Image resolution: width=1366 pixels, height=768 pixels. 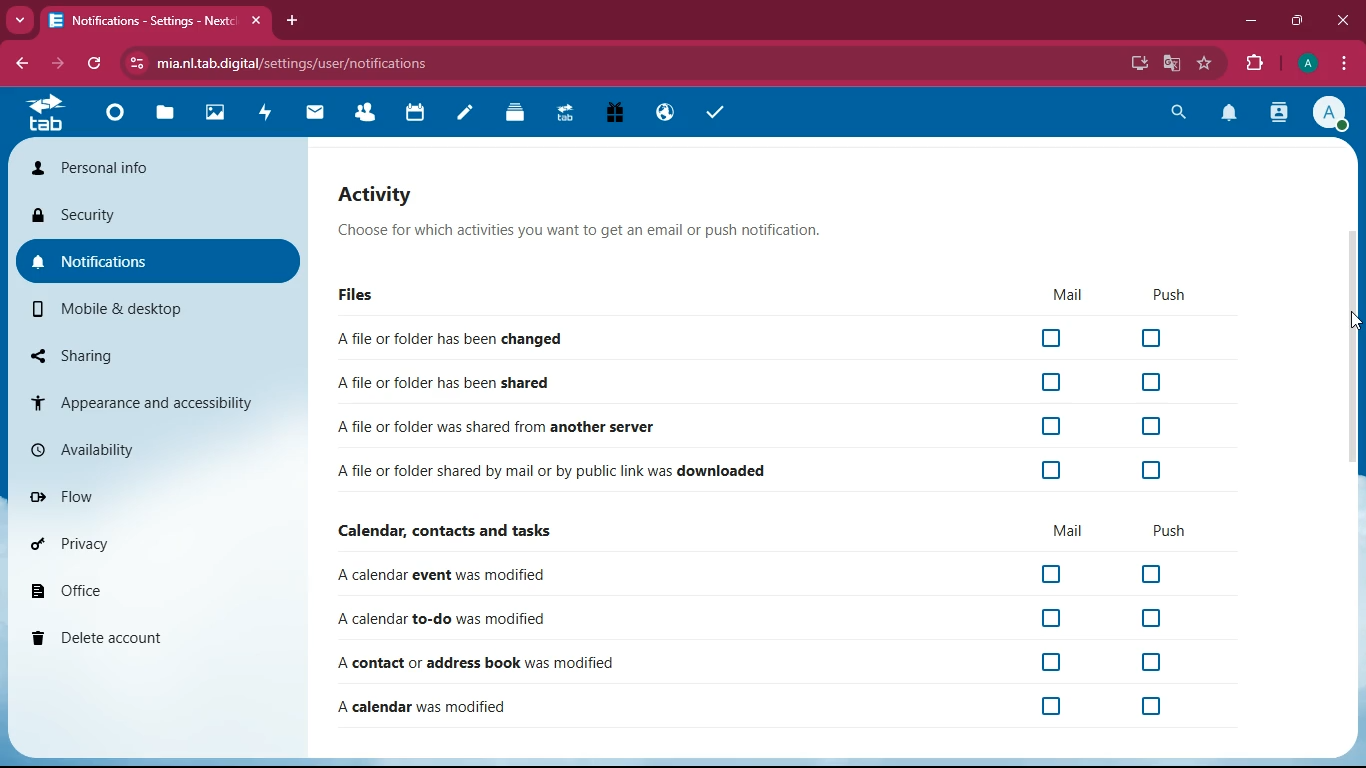 I want to click on password, so click(x=1105, y=63).